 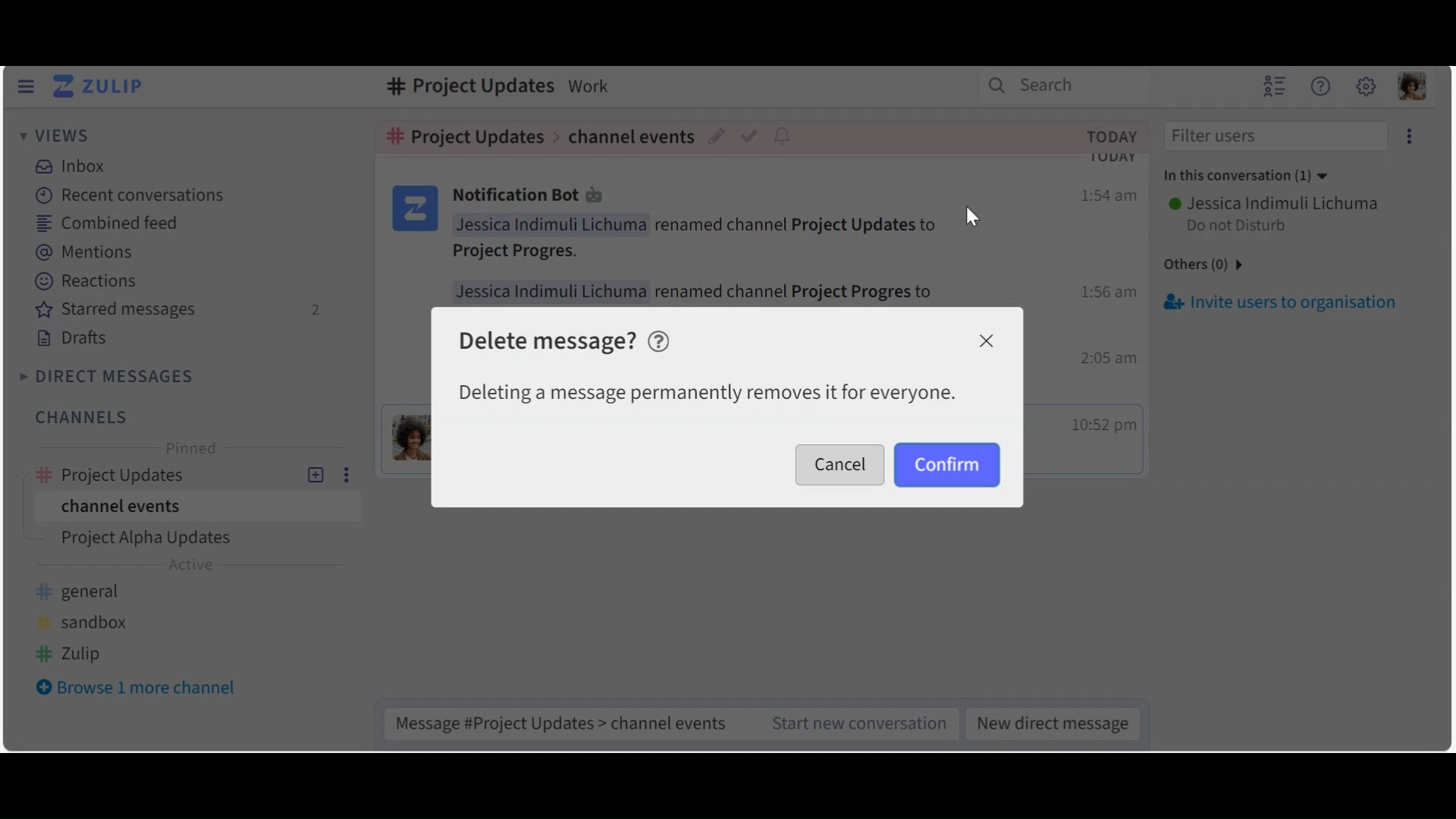 What do you see at coordinates (1282, 302) in the screenshot?
I see `Invite users to organisation` at bounding box center [1282, 302].